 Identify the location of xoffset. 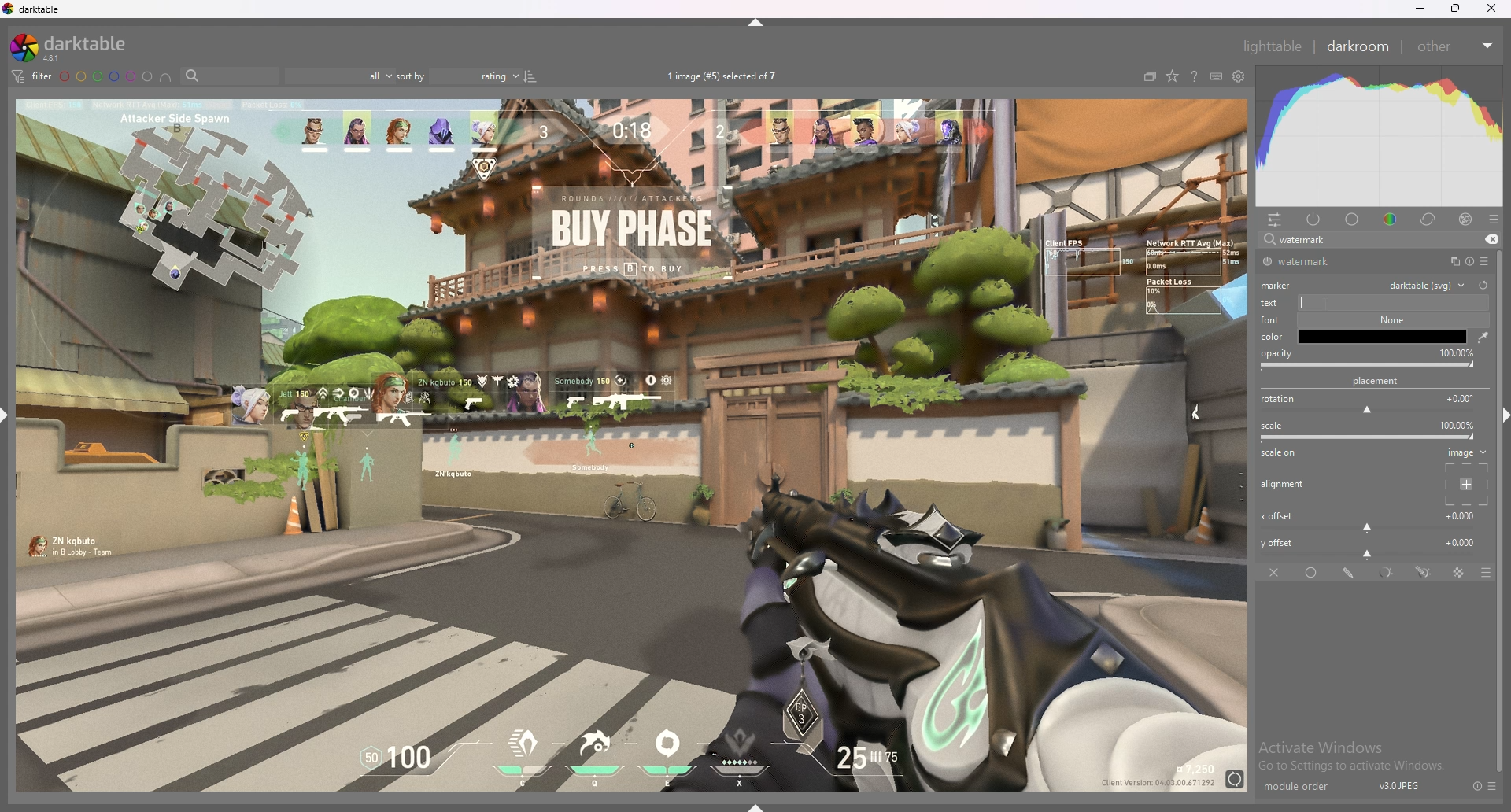
(1369, 519).